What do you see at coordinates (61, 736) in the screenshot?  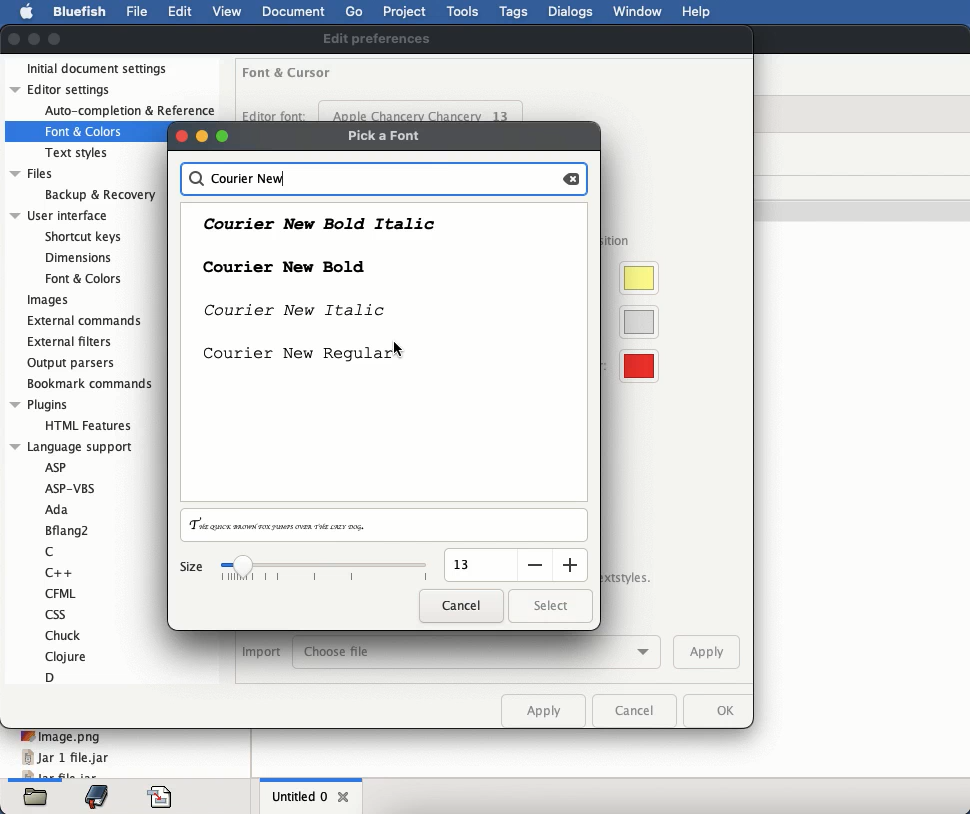 I see `image` at bounding box center [61, 736].